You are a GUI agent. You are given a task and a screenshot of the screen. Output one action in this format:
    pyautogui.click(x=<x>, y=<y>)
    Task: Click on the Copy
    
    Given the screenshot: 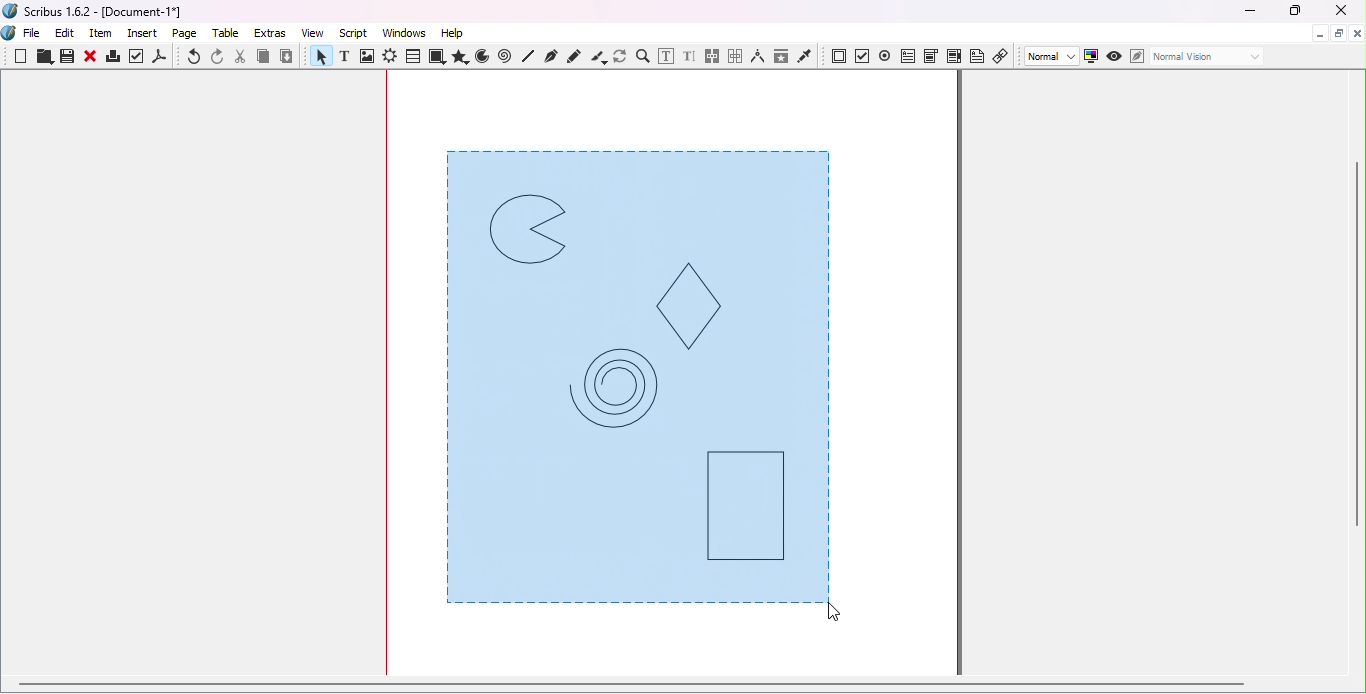 What is the action you would take?
    pyautogui.click(x=263, y=58)
    